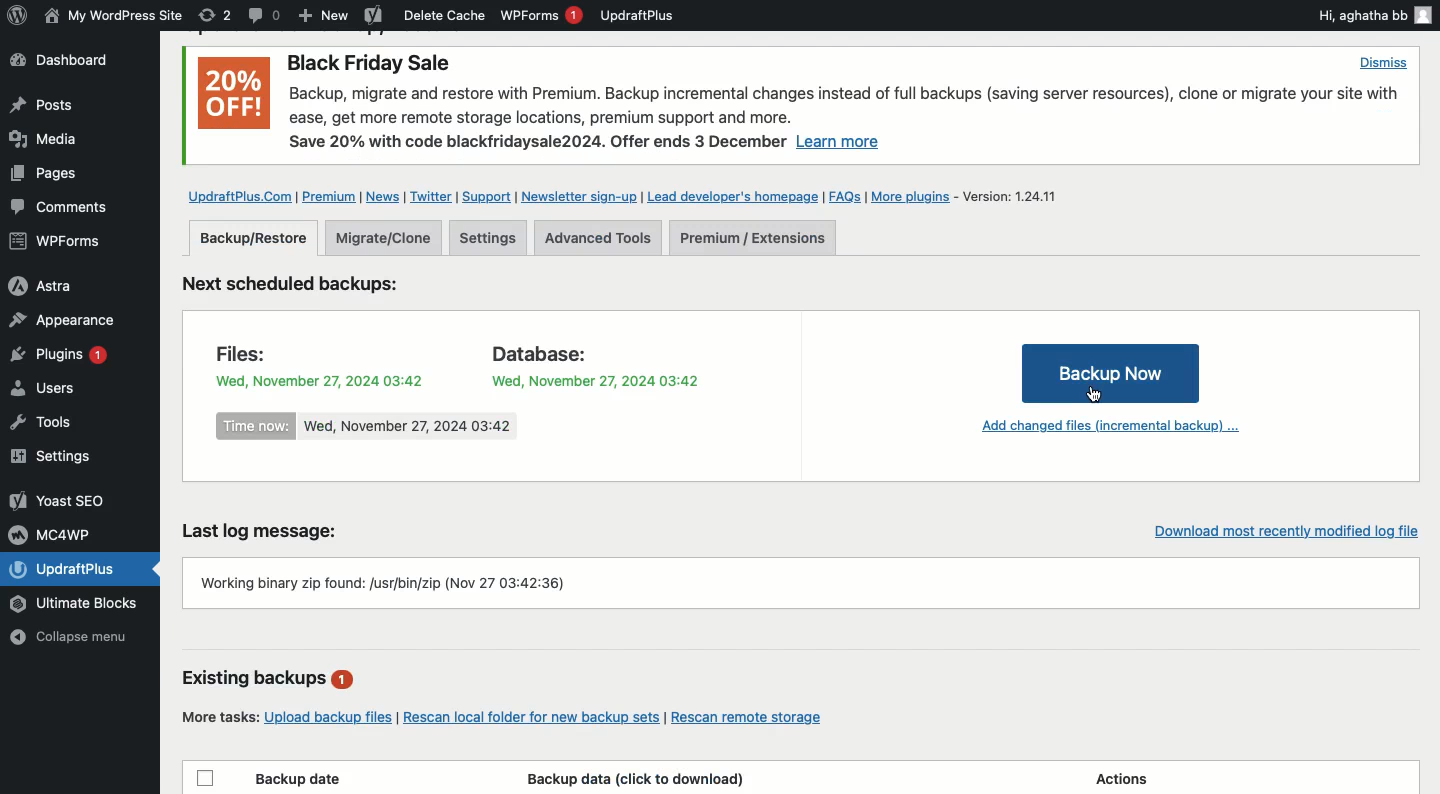 This screenshot has height=794, width=1440. I want to click on Yoast SEO, so click(60, 500).